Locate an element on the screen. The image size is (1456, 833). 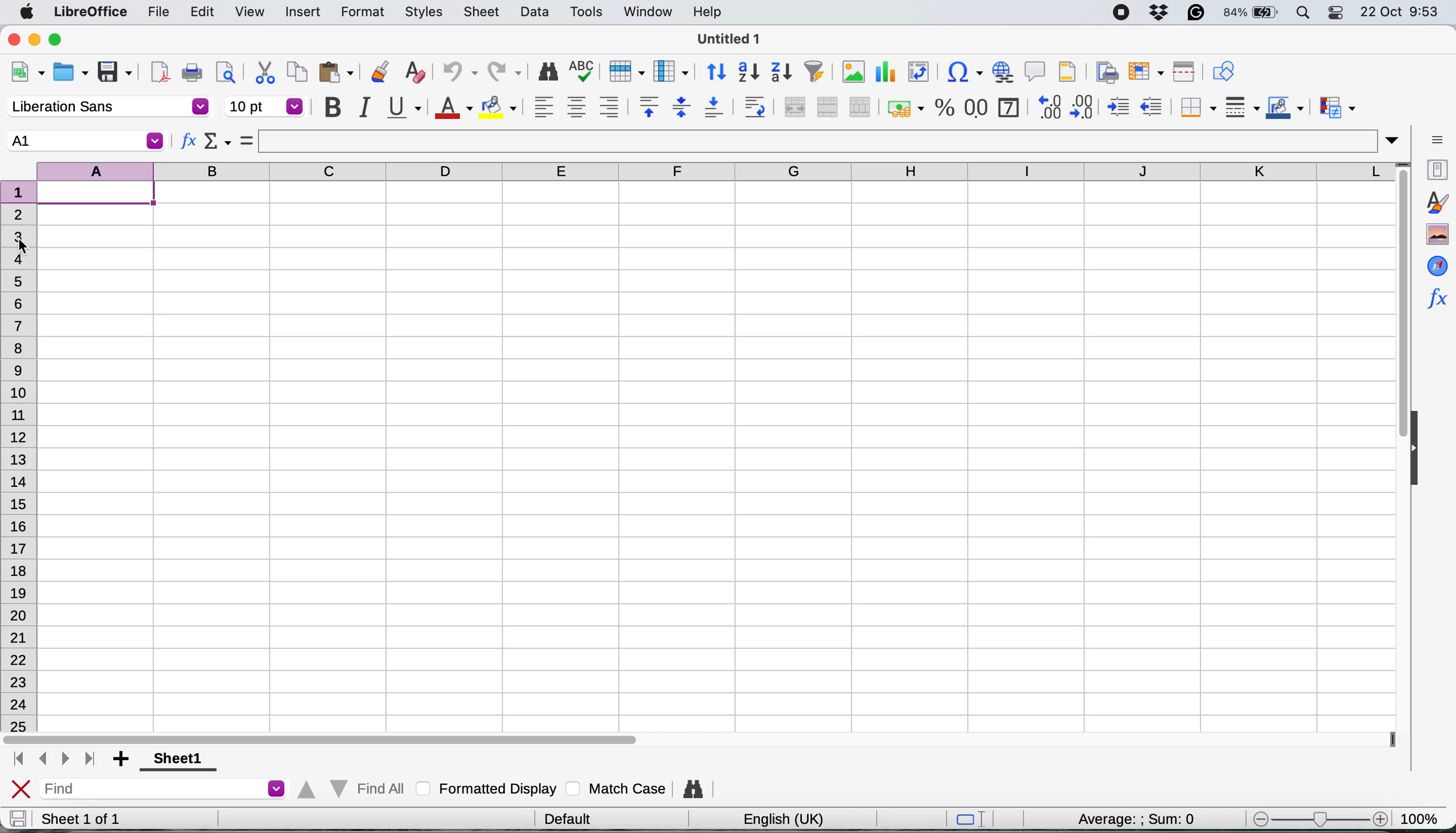
selected cell is located at coordinates (84, 141).